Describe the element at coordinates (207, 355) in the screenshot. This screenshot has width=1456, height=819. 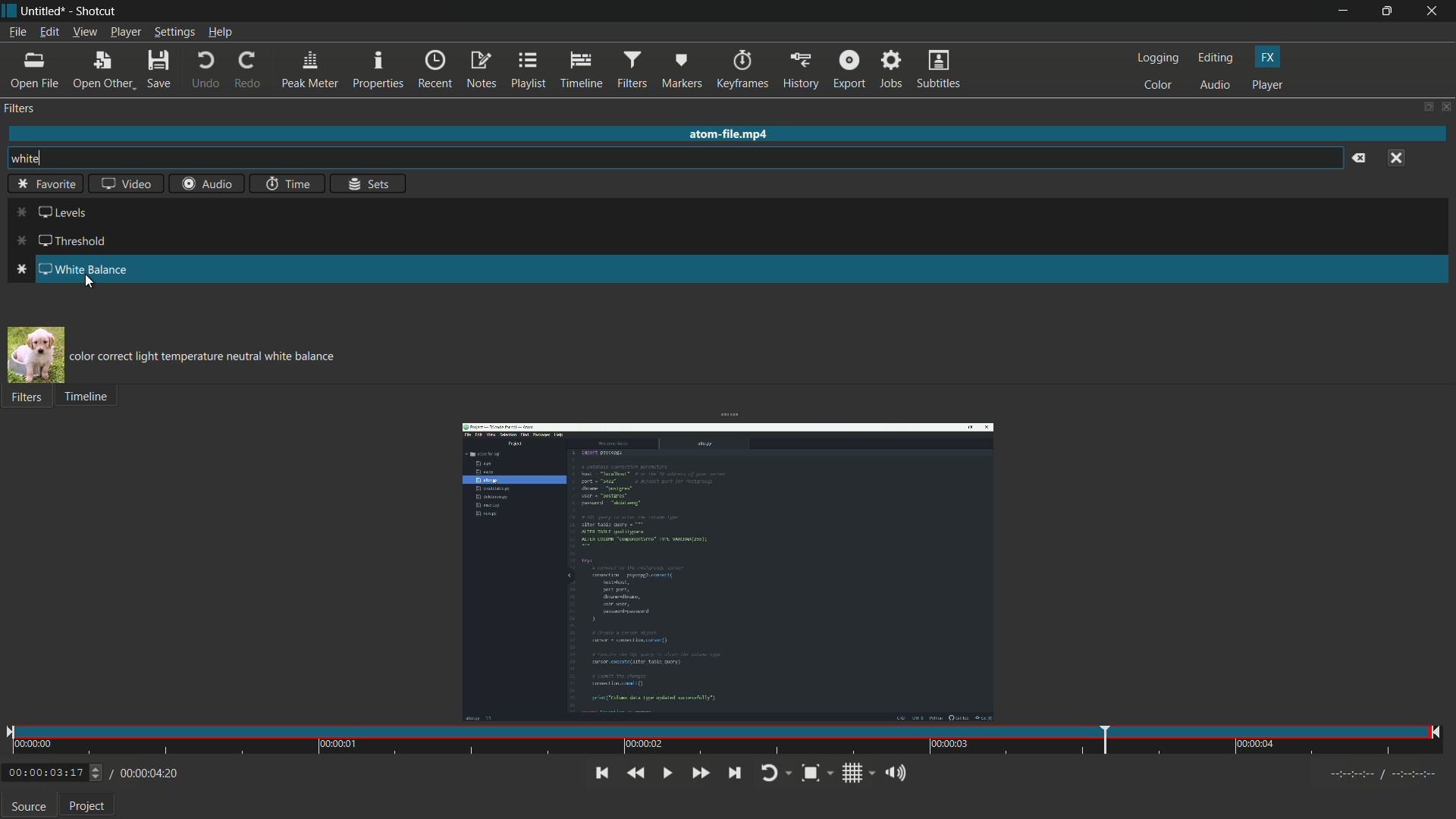
I see ` color correct light temperature neutral white balance` at that location.